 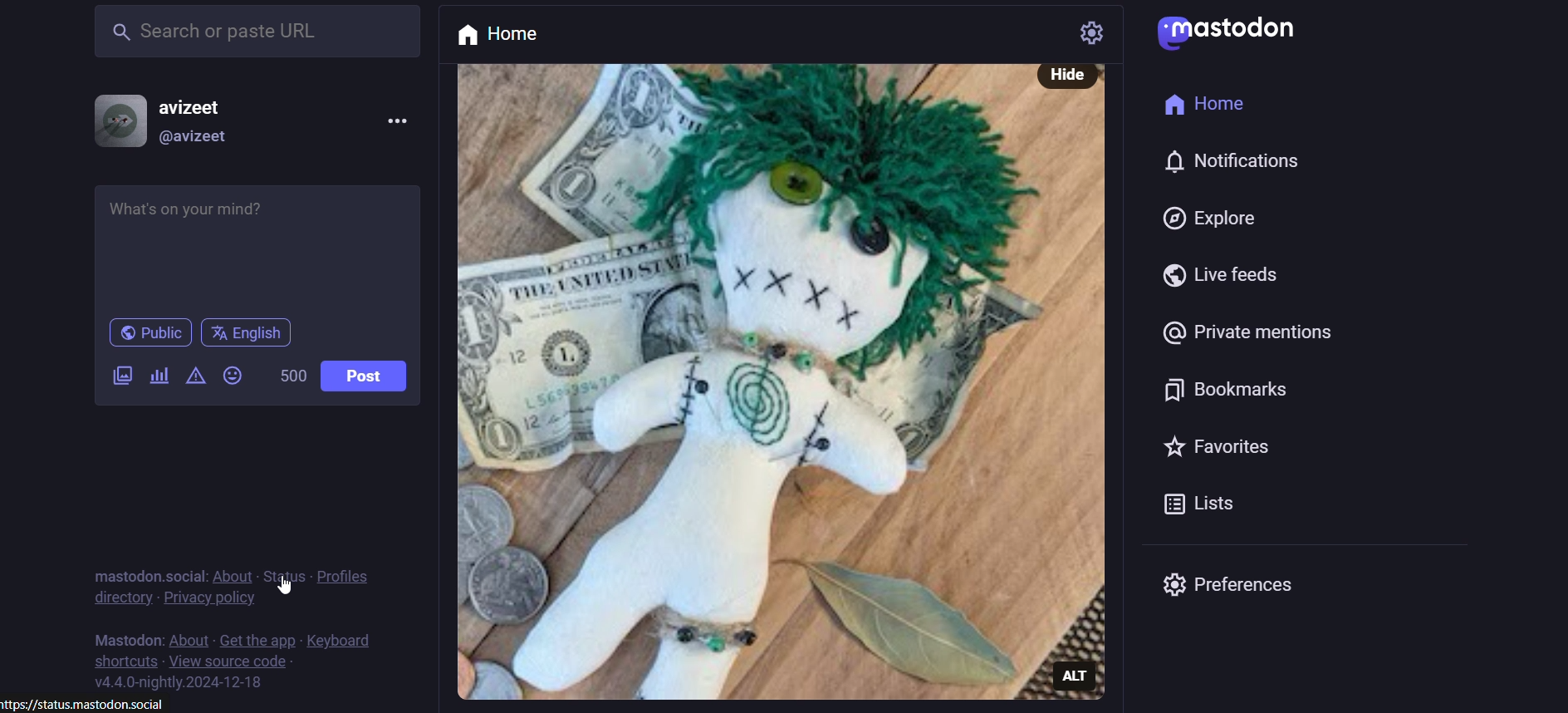 What do you see at coordinates (1198, 506) in the screenshot?
I see `lists` at bounding box center [1198, 506].